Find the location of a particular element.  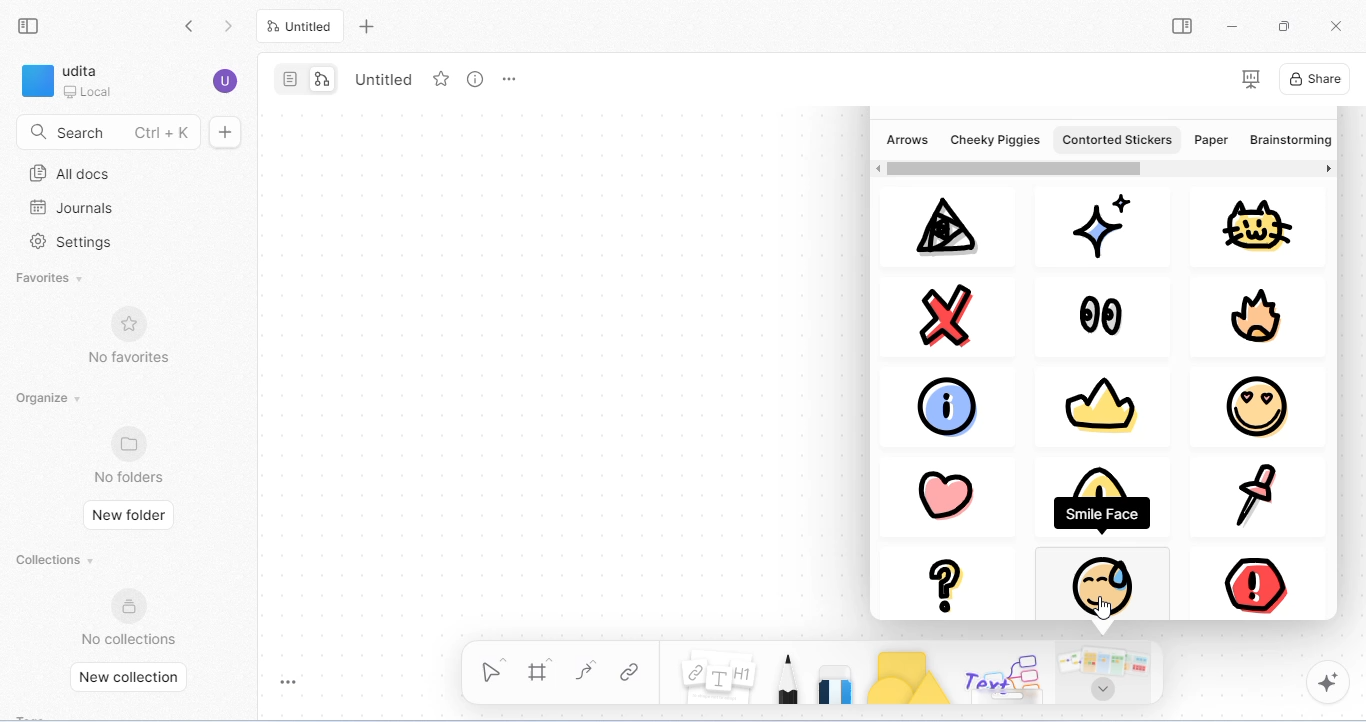

search is located at coordinates (108, 130).